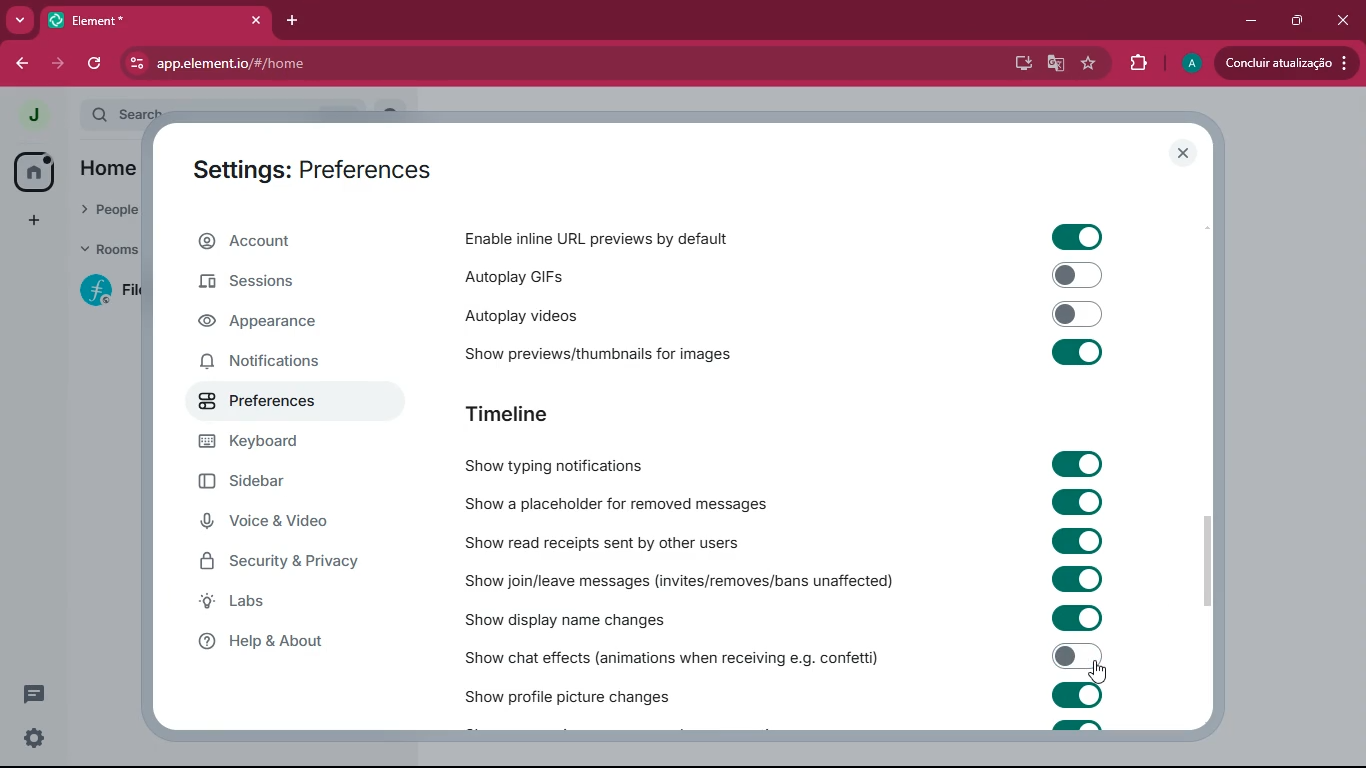 Image resolution: width=1366 pixels, height=768 pixels. I want to click on maximize, so click(1293, 21).